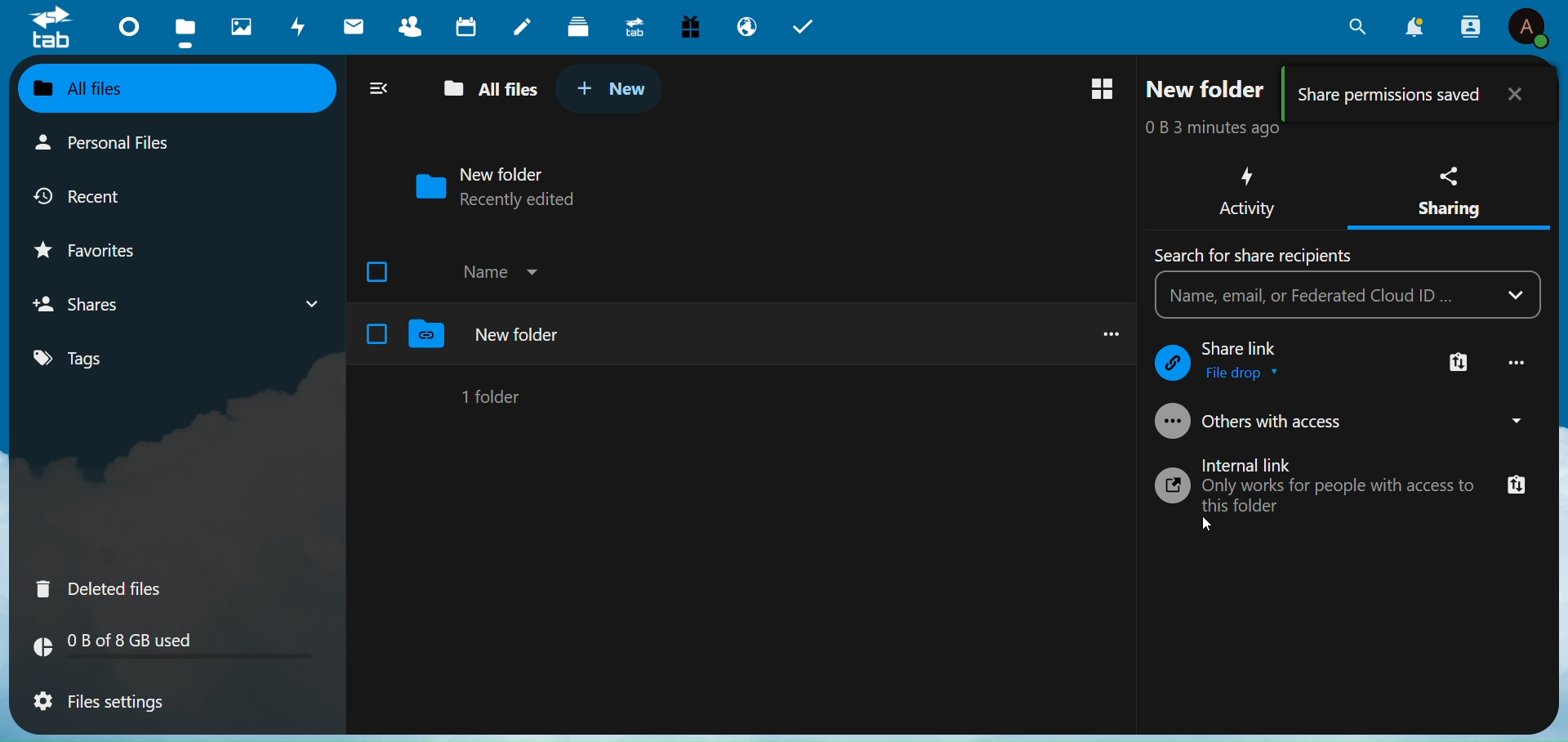  I want to click on Notification, so click(1415, 27).